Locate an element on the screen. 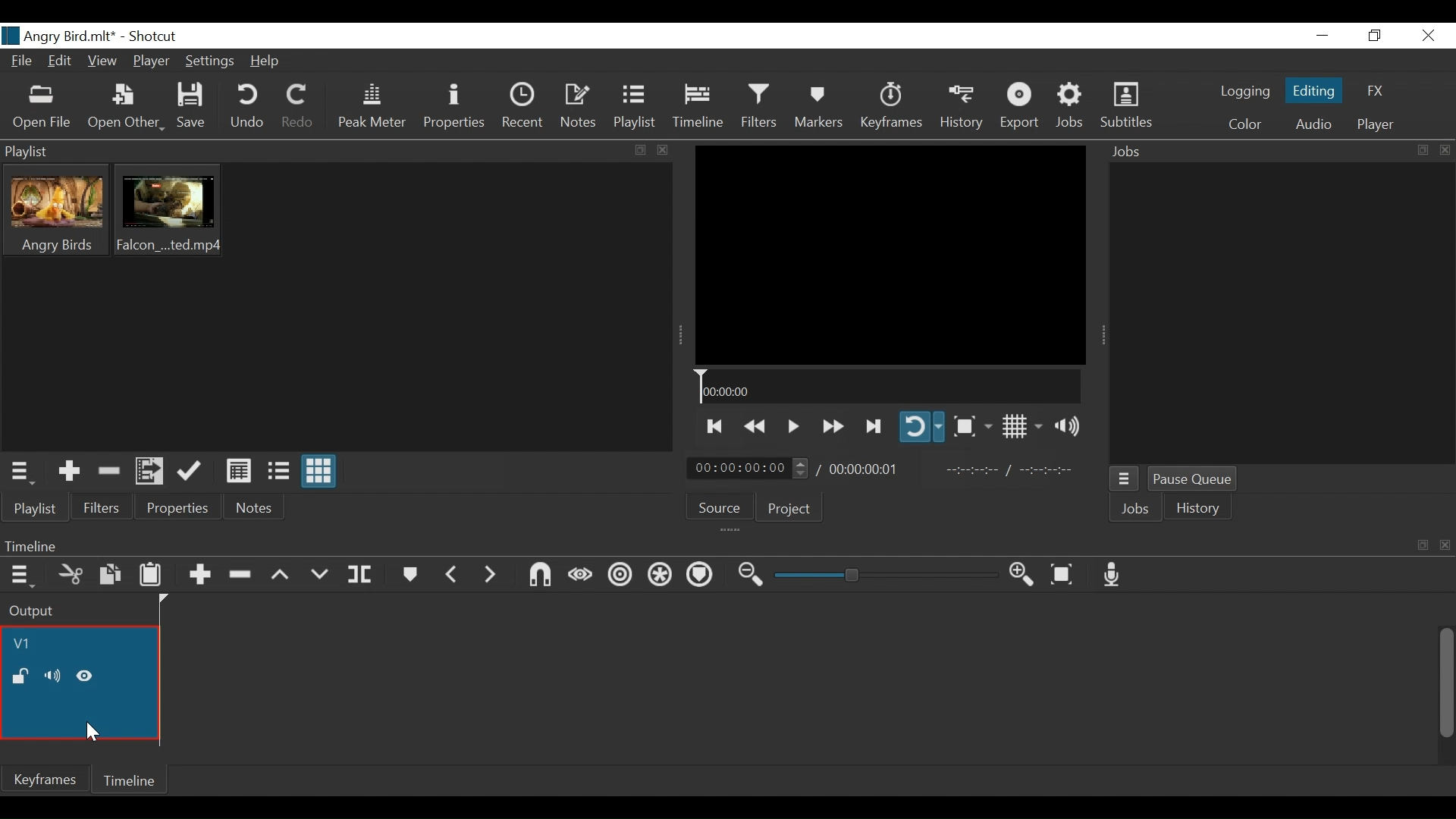  Undo is located at coordinates (249, 108).